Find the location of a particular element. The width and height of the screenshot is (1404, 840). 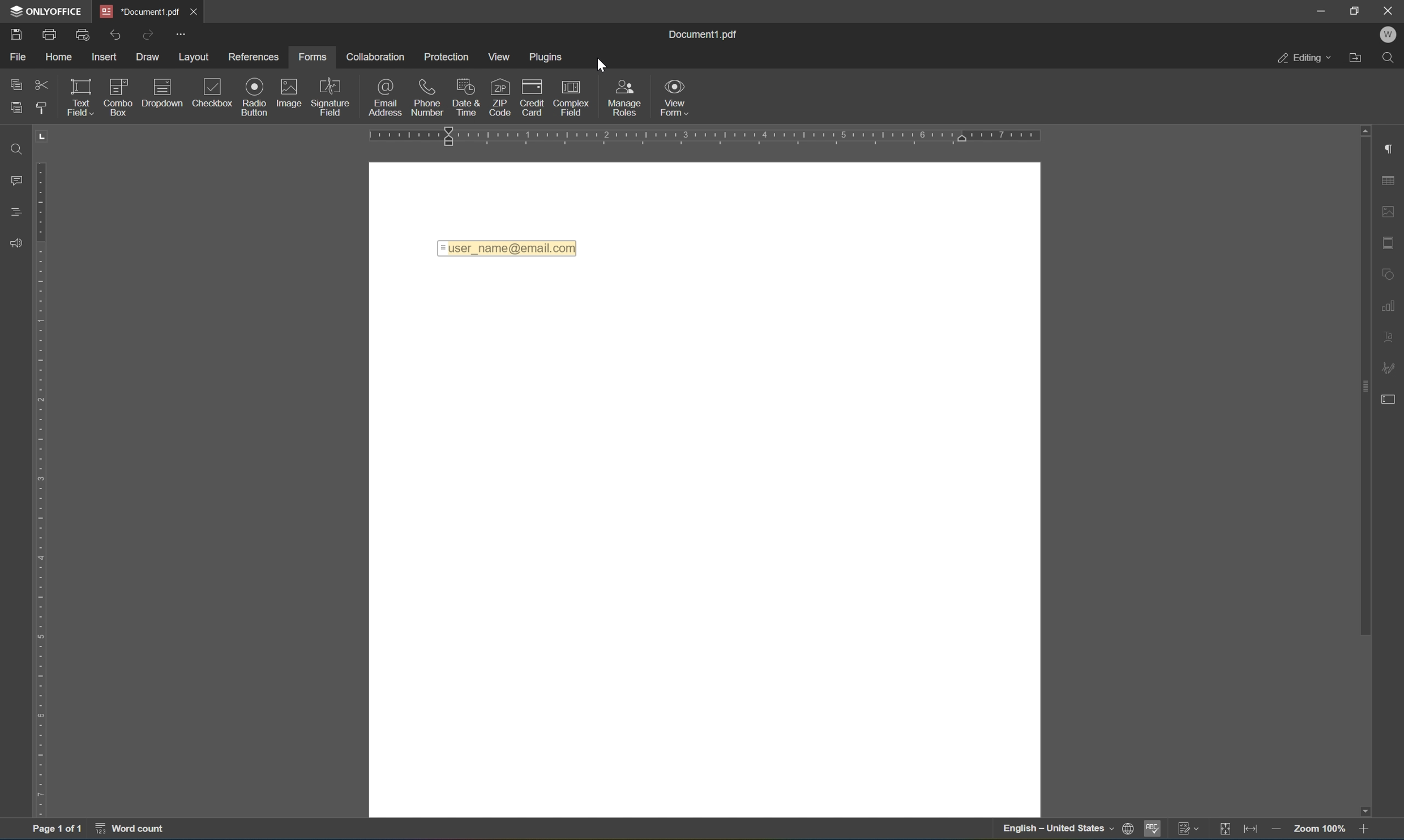

headings is located at coordinates (17, 211).